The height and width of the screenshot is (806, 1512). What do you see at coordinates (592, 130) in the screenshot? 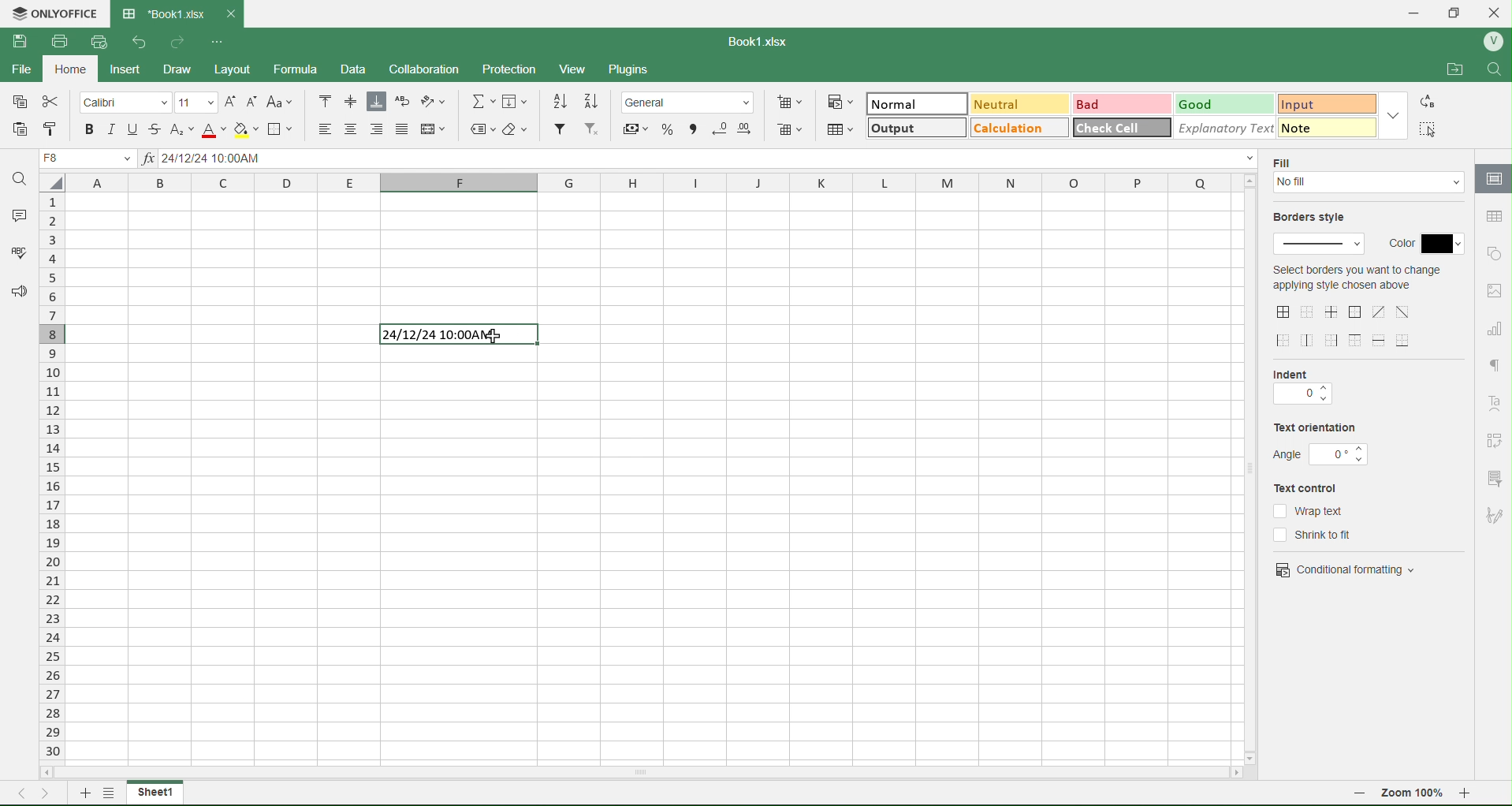
I see `Clear Filter` at bounding box center [592, 130].